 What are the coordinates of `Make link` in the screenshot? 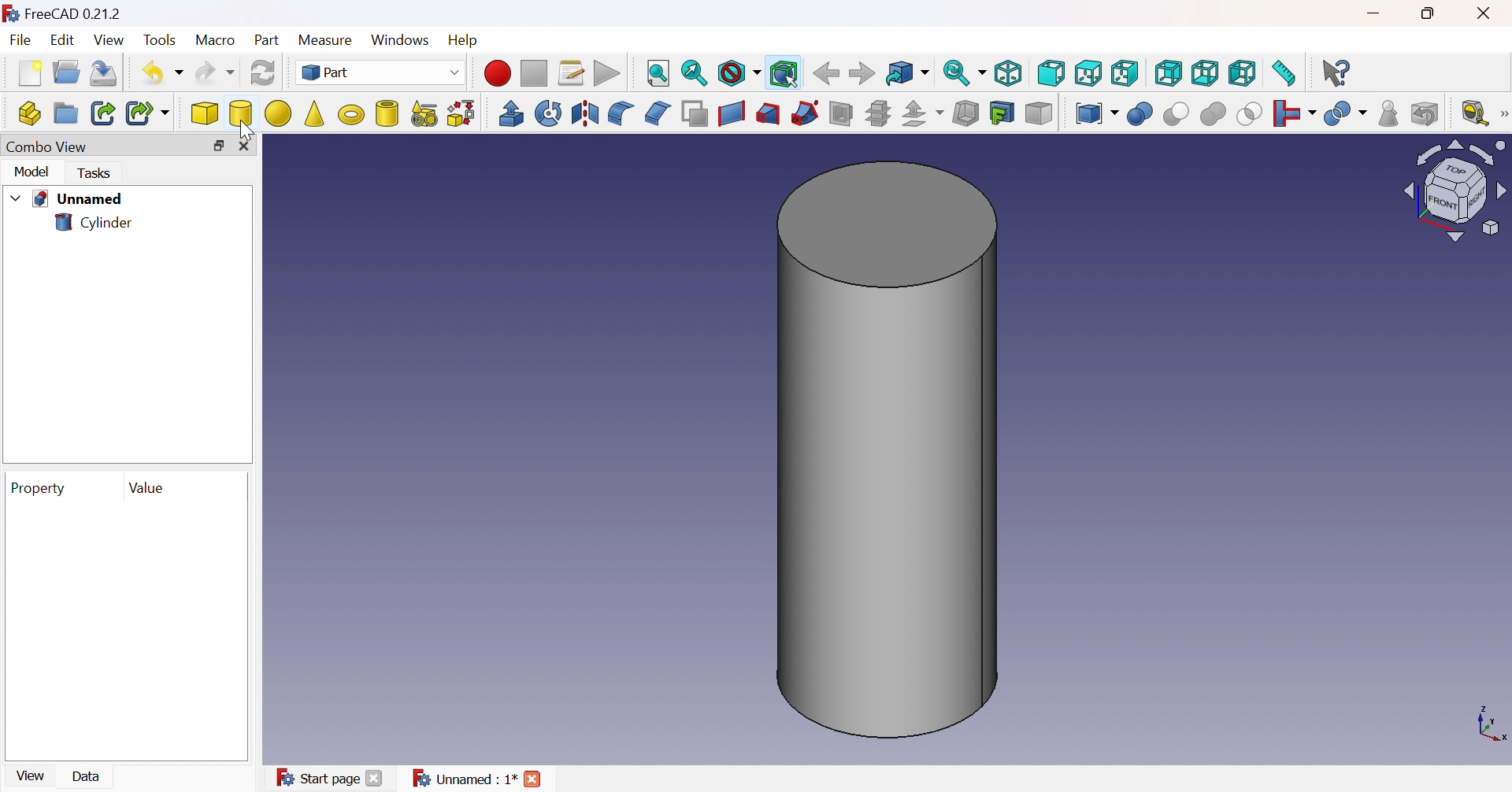 It's located at (103, 115).